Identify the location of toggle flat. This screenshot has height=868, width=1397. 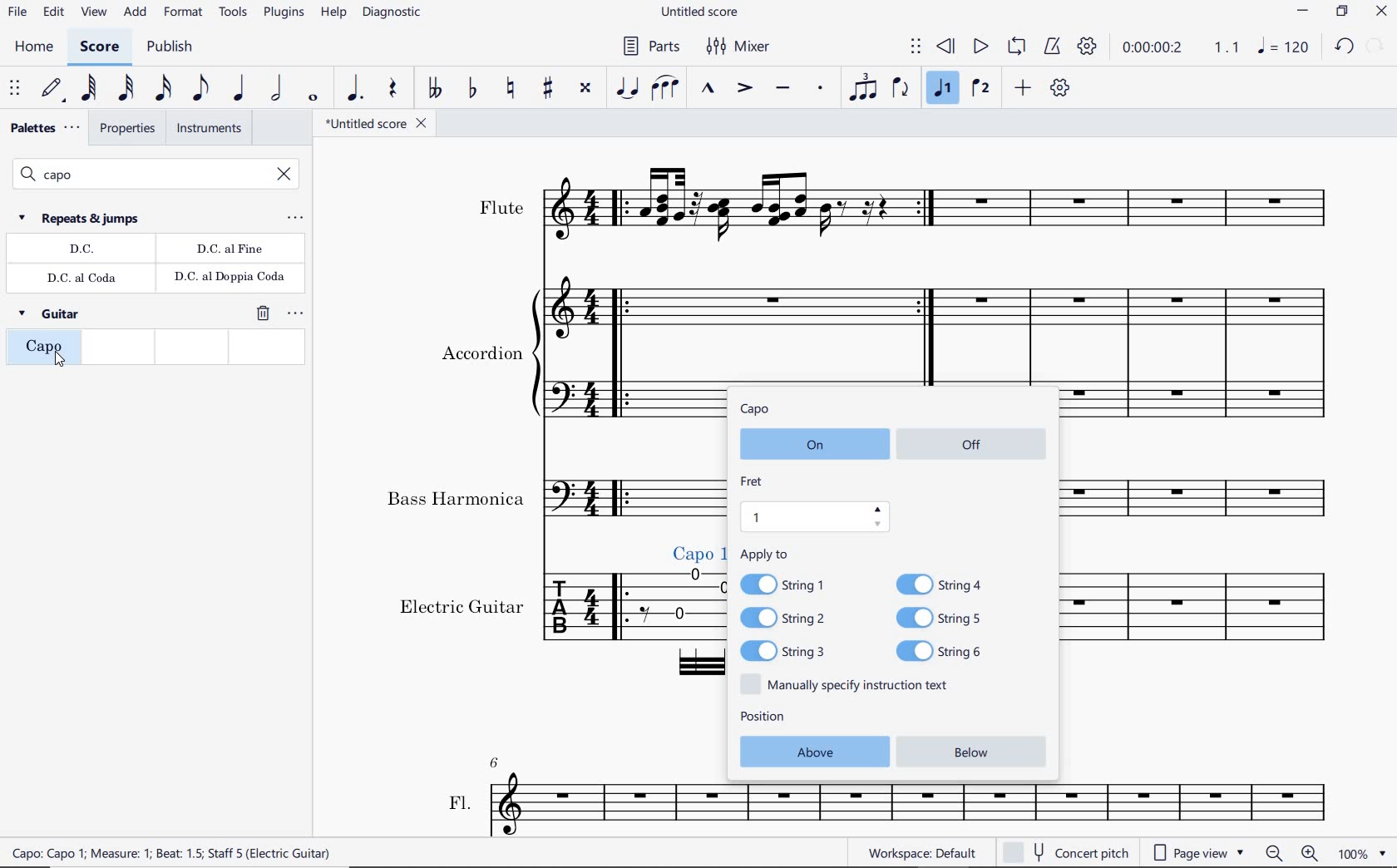
(471, 89).